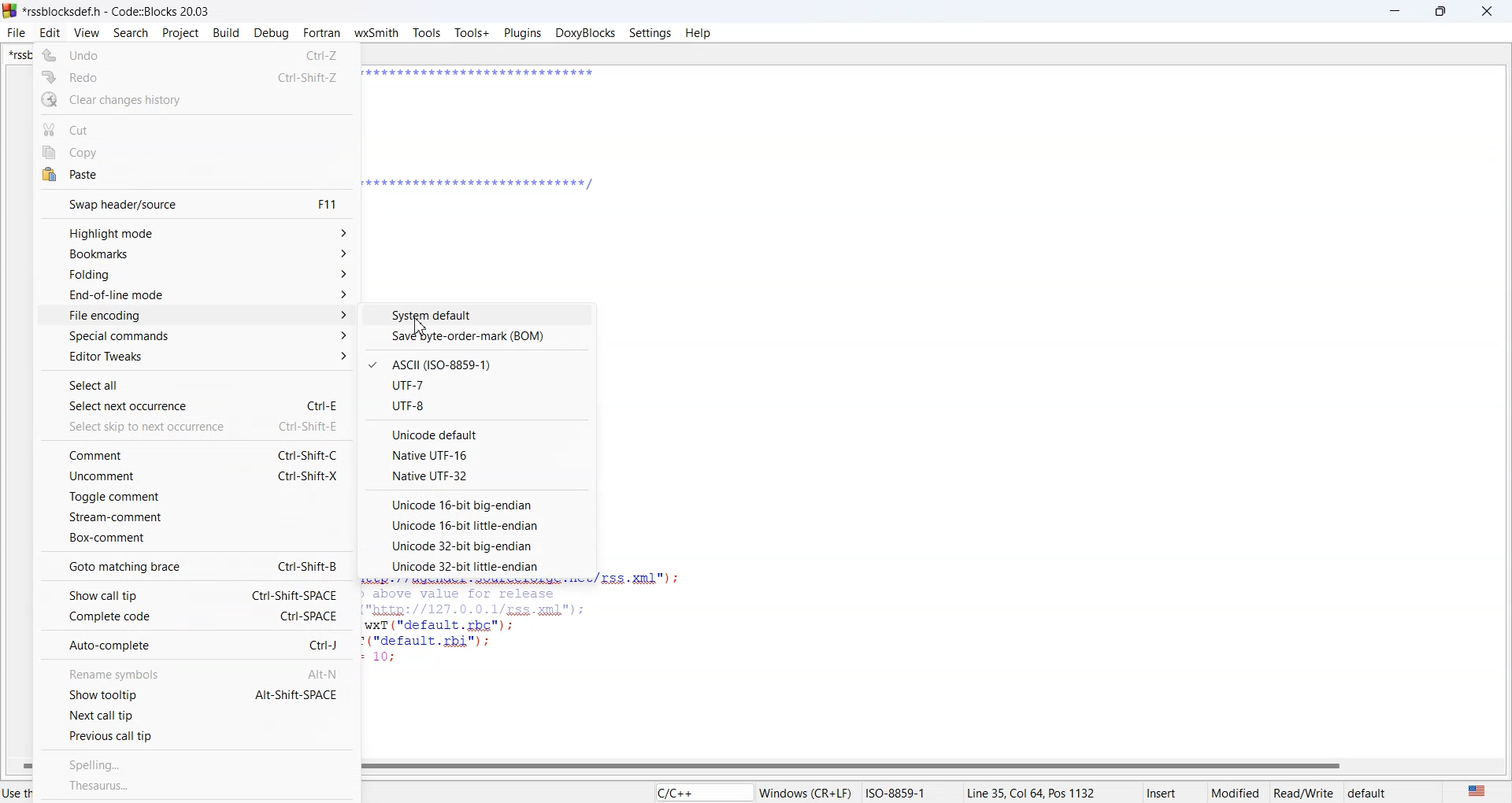 This screenshot has width=1512, height=803. What do you see at coordinates (479, 454) in the screenshot?
I see `Native UTF-16` at bounding box center [479, 454].